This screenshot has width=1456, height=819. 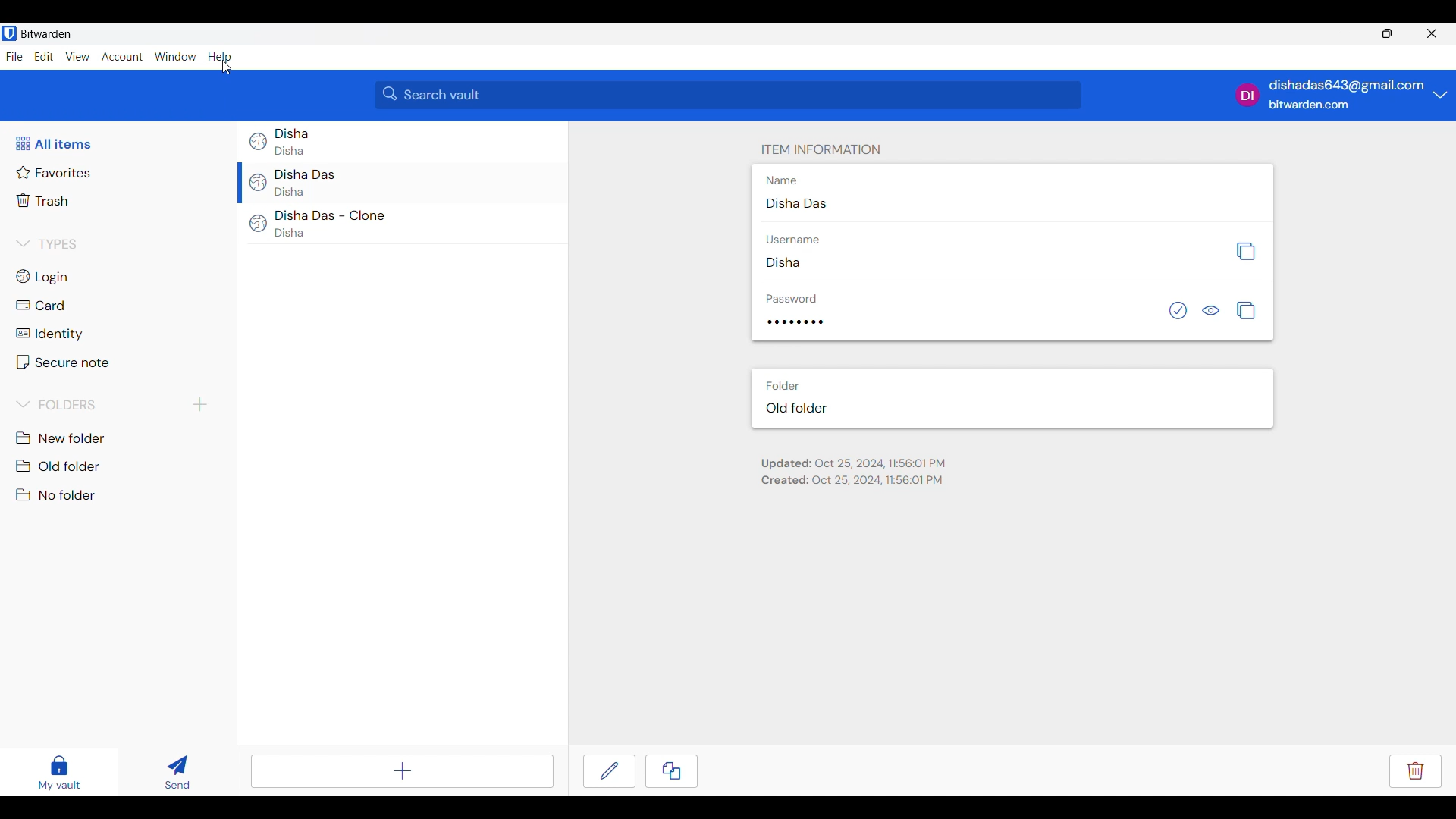 What do you see at coordinates (782, 180) in the screenshot?
I see `Name` at bounding box center [782, 180].